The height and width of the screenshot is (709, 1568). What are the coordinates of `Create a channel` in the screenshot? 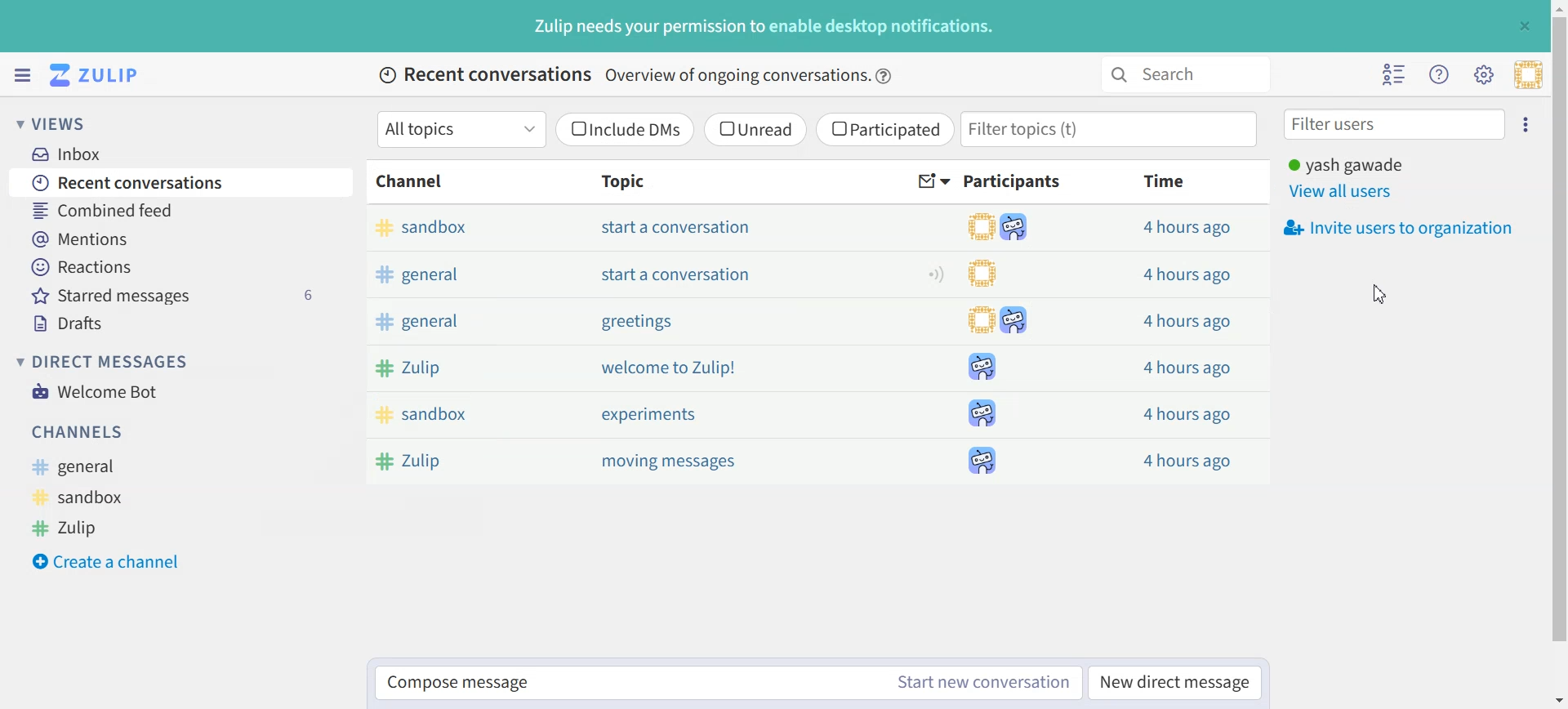 It's located at (115, 560).